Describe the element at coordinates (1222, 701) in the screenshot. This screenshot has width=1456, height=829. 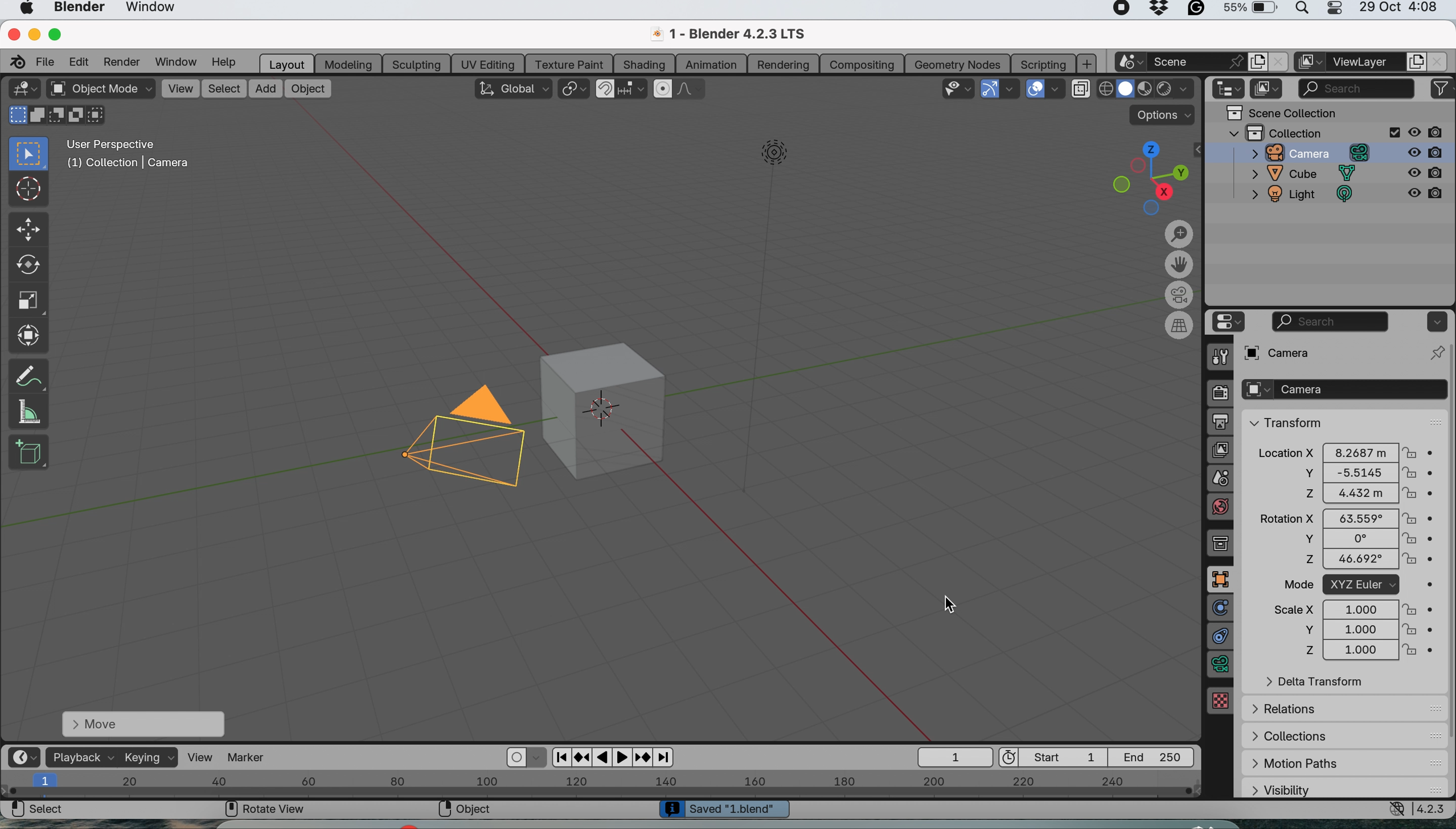
I see `texture` at that location.